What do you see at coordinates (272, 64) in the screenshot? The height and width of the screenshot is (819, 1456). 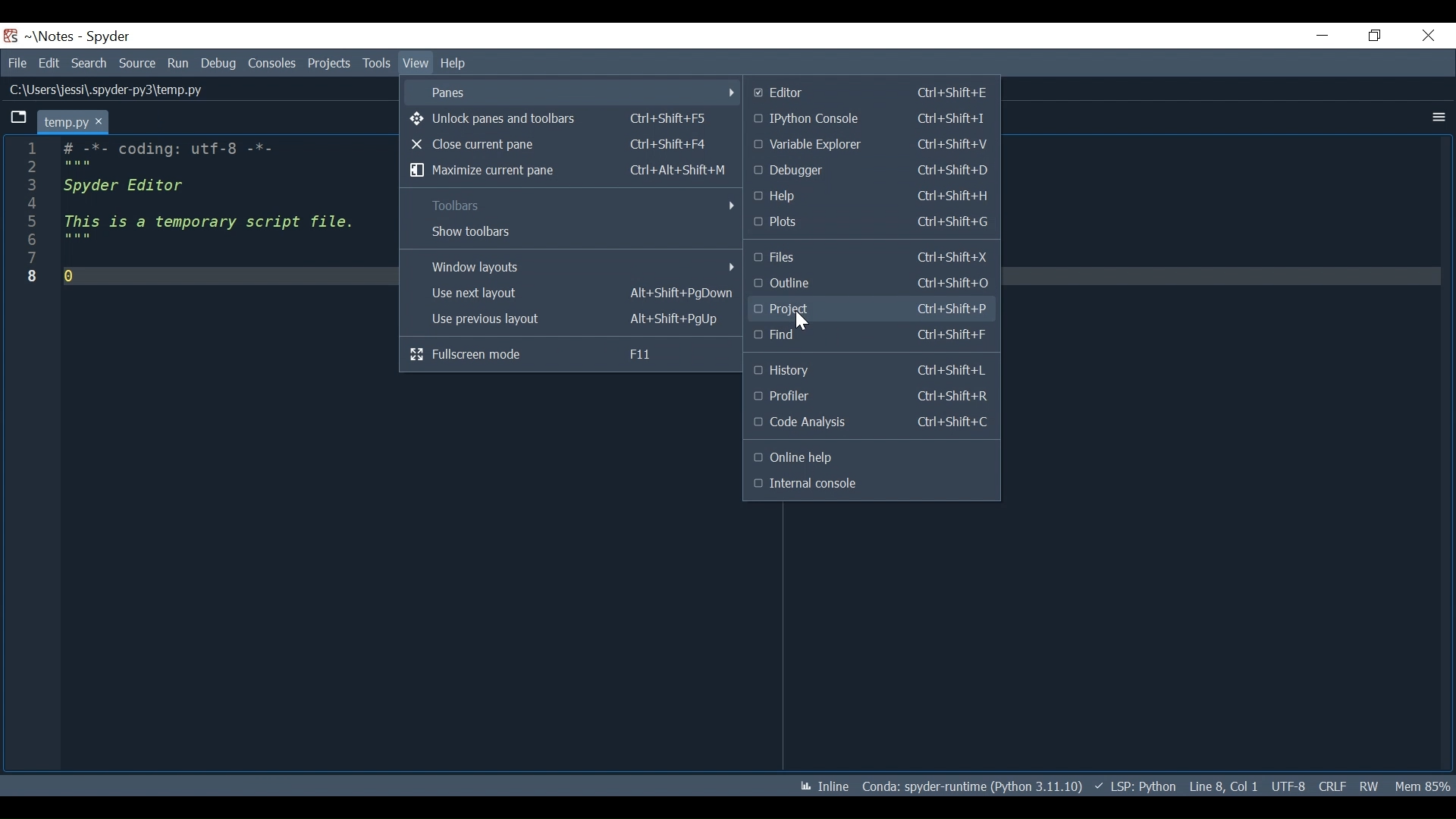 I see `Consoles` at bounding box center [272, 64].